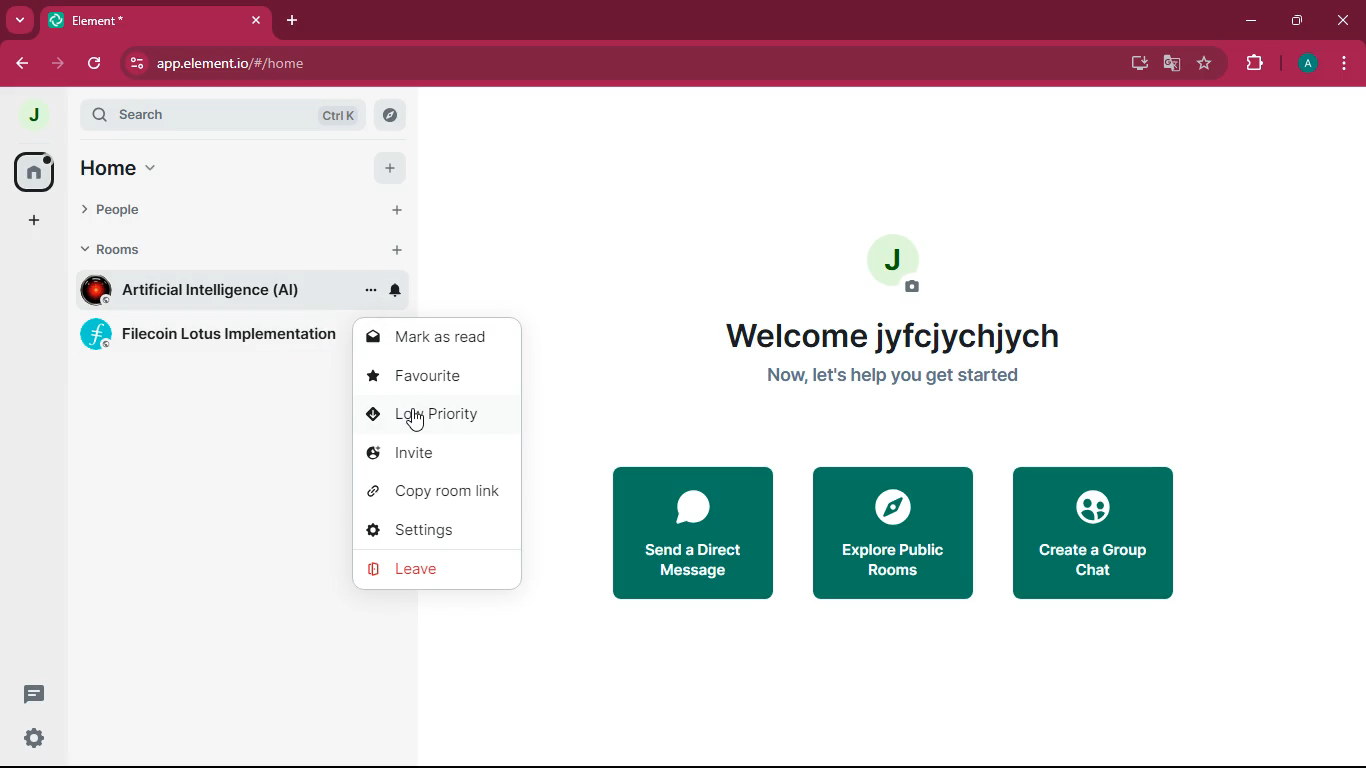  Describe the element at coordinates (131, 167) in the screenshot. I see `home` at that location.